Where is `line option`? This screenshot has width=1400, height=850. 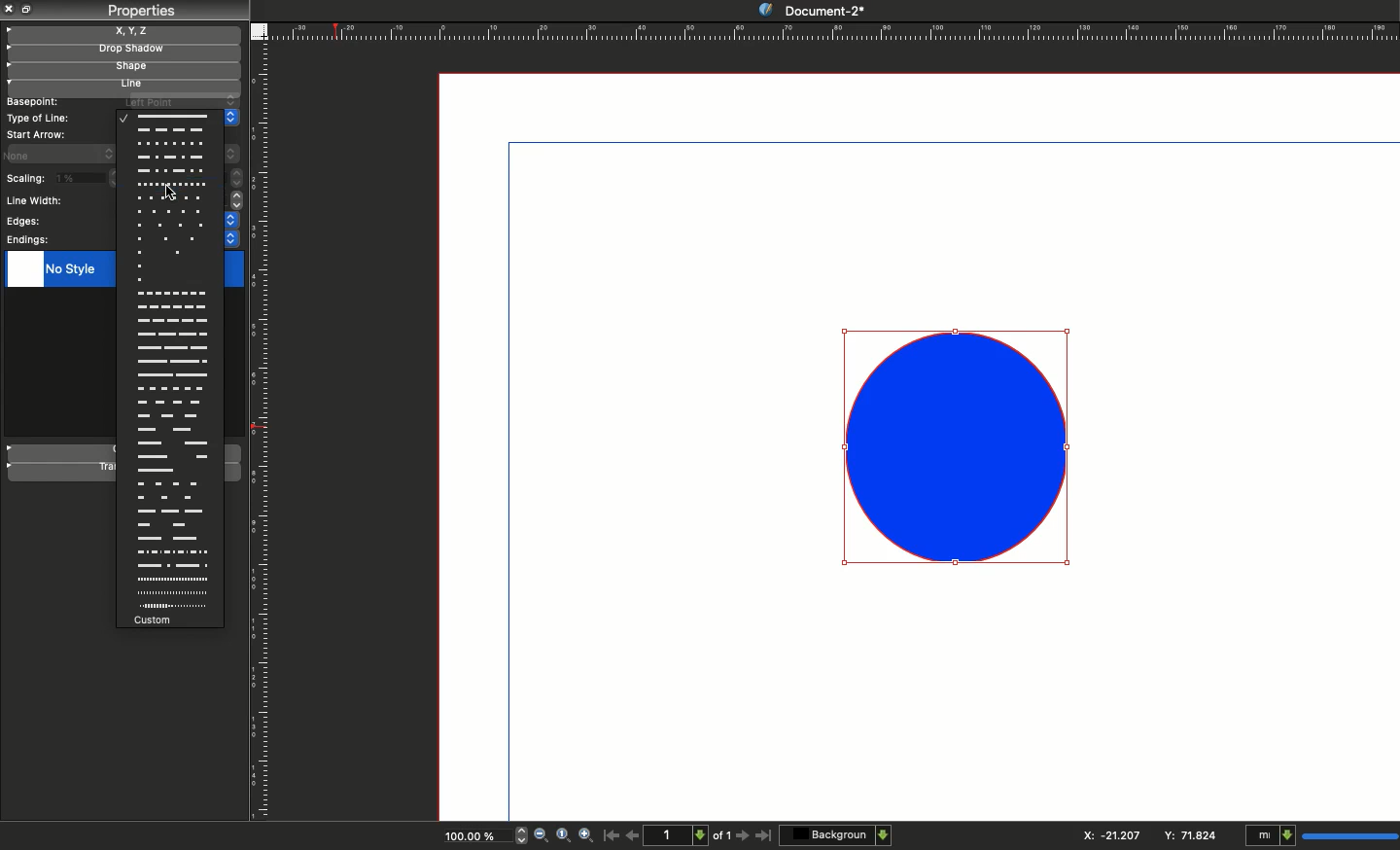
line option is located at coordinates (170, 592).